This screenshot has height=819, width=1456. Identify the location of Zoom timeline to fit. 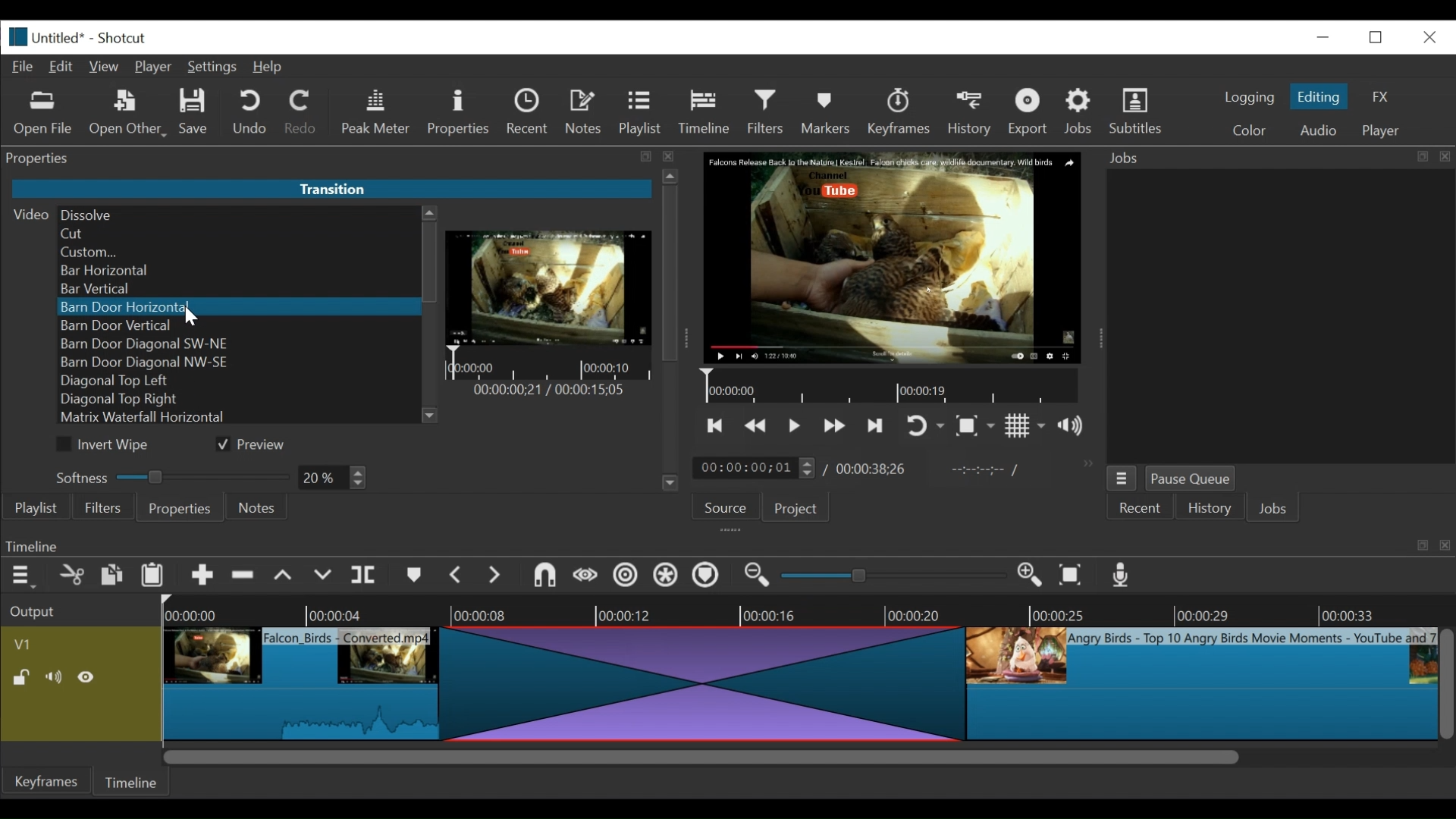
(1075, 576).